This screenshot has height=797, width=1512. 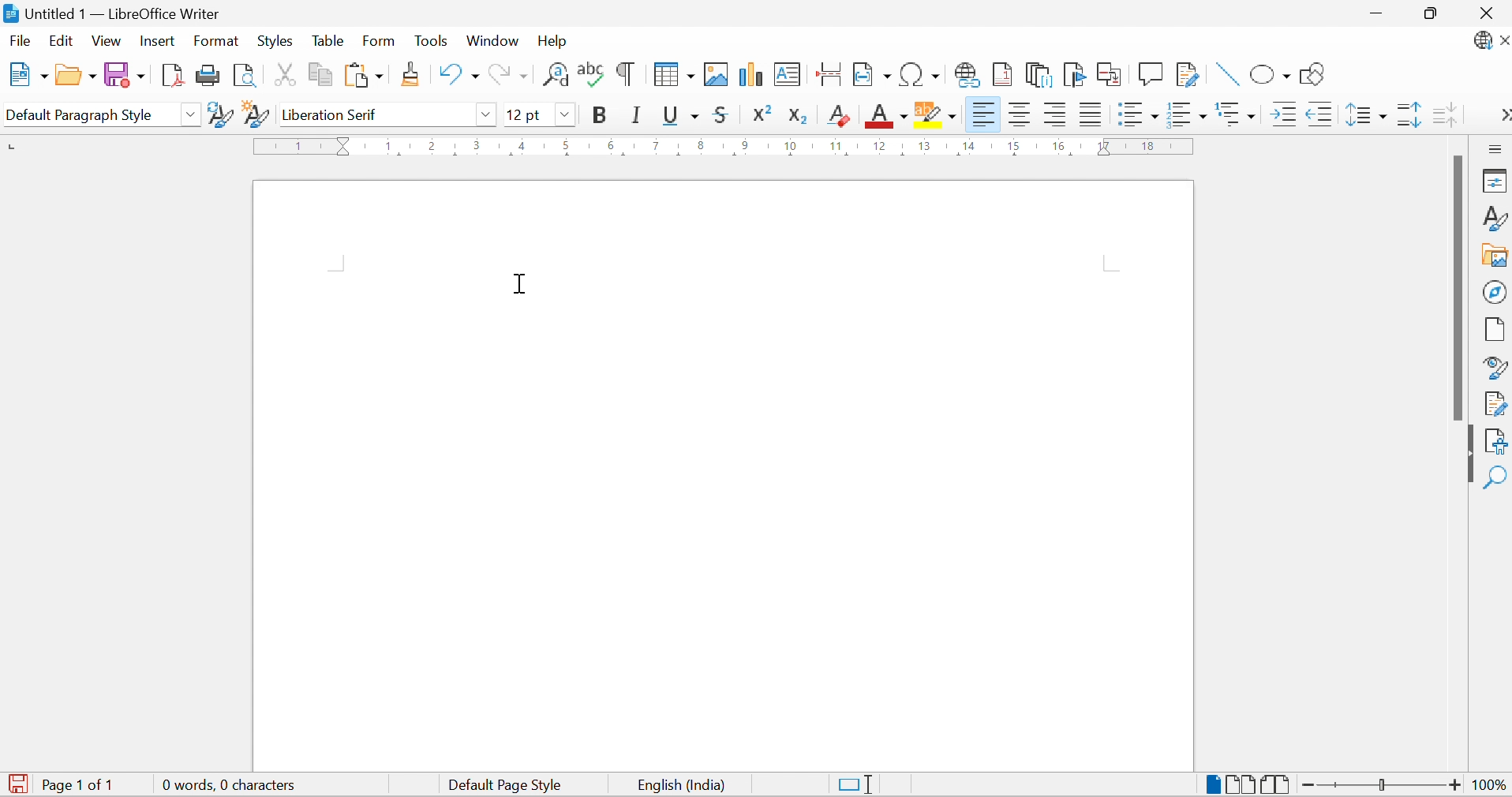 What do you see at coordinates (1501, 113) in the screenshot?
I see `More` at bounding box center [1501, 113].